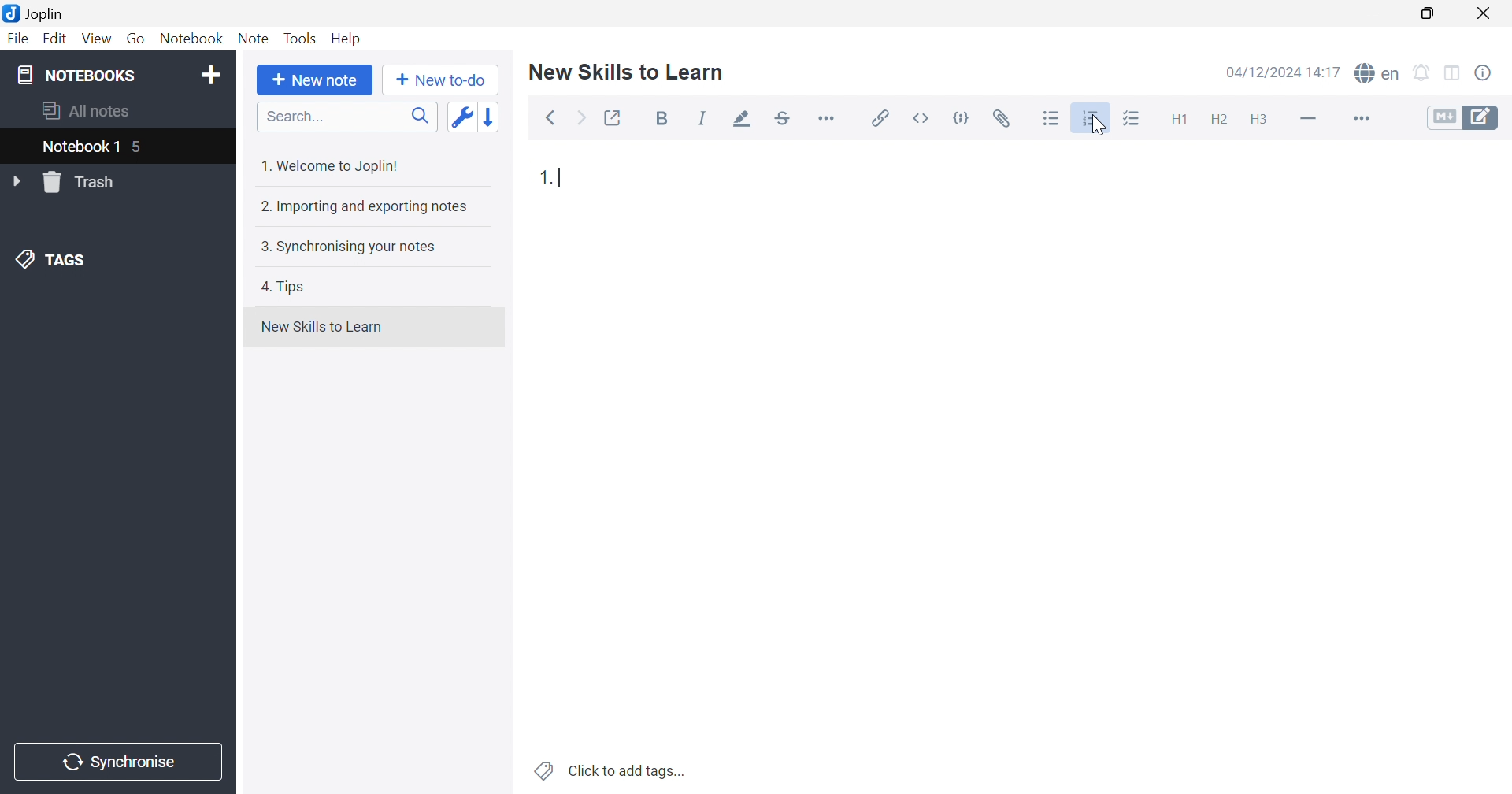  What do you see at coordinates (1265, 74) in the screenshot?
I see `04/12/2024` at bounding box center [1265, 74].